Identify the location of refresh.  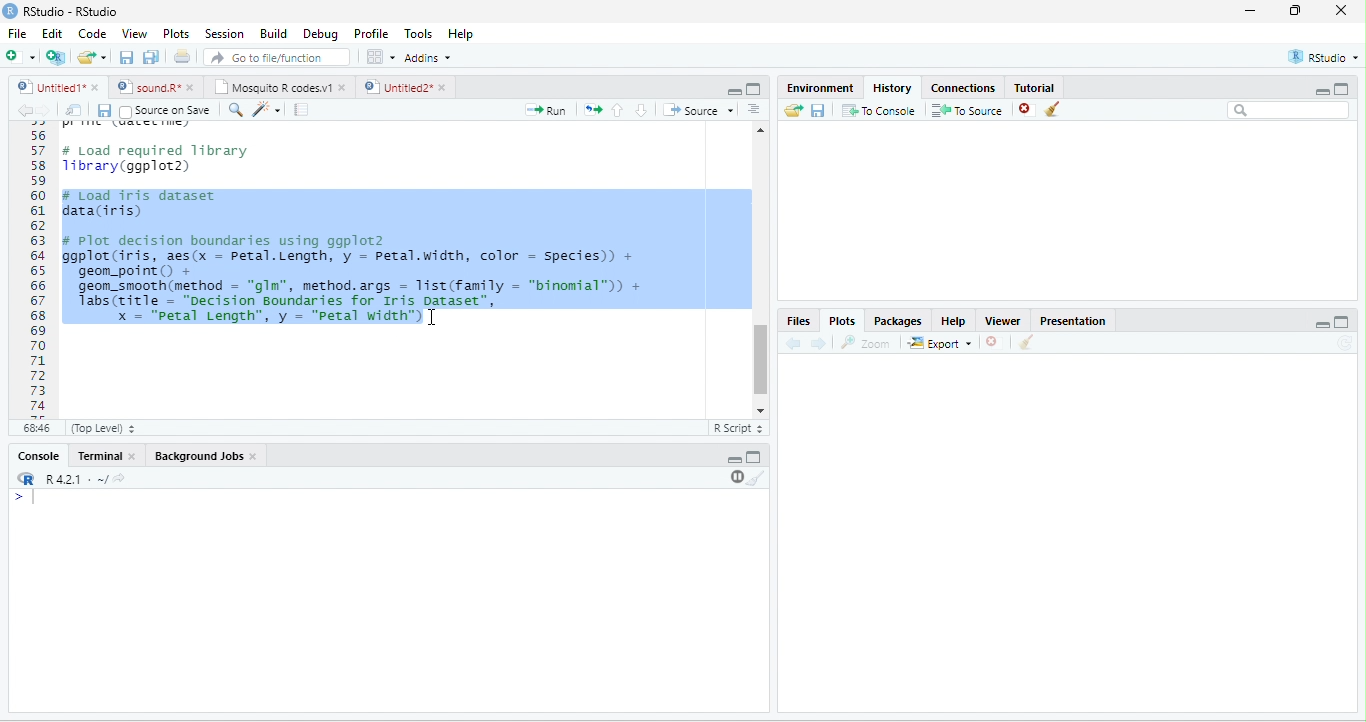
(1344, 343).